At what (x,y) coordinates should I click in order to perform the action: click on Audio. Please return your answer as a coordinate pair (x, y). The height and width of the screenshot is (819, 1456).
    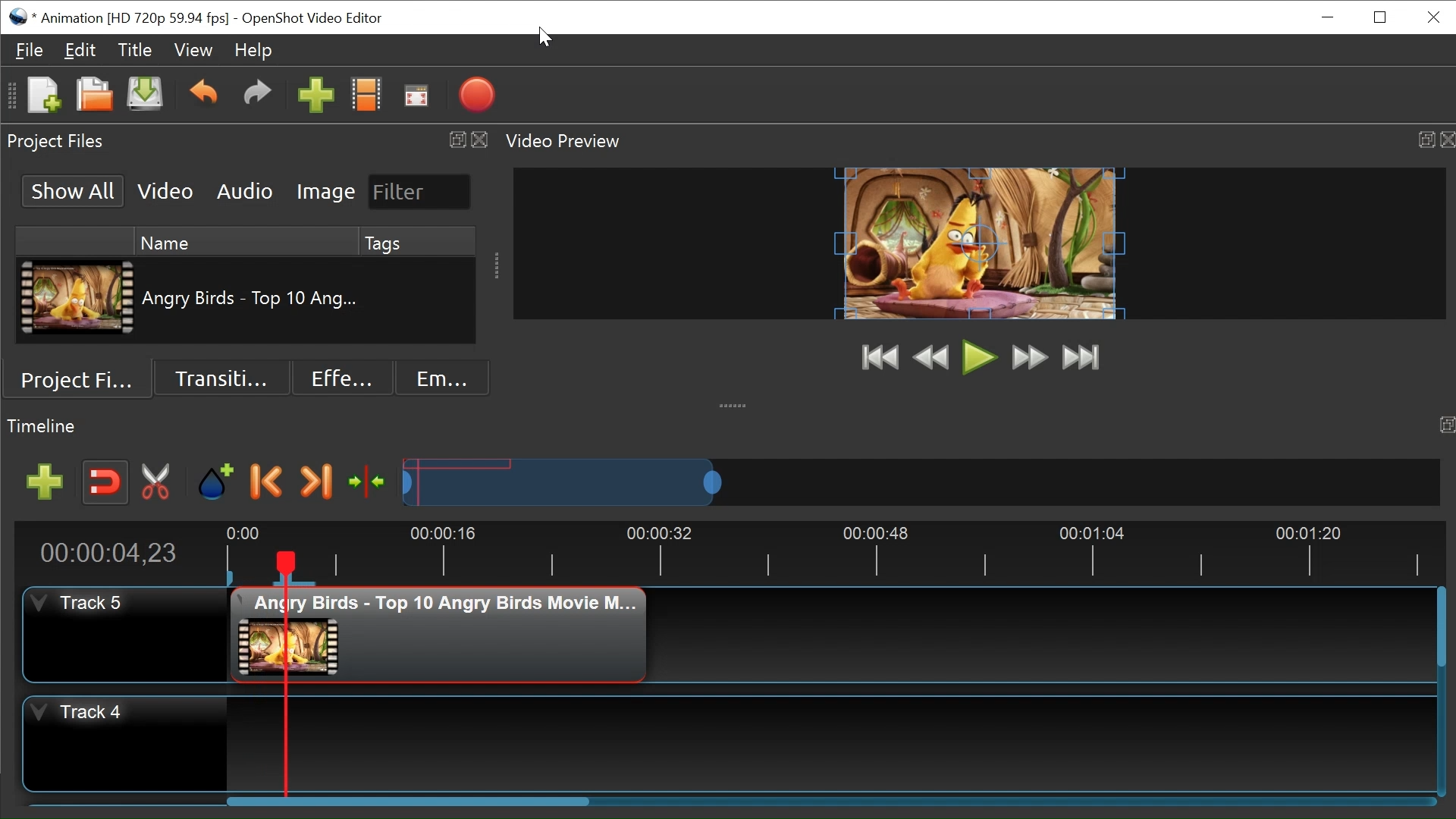
    Looking at the image, I should click on (247, 190).